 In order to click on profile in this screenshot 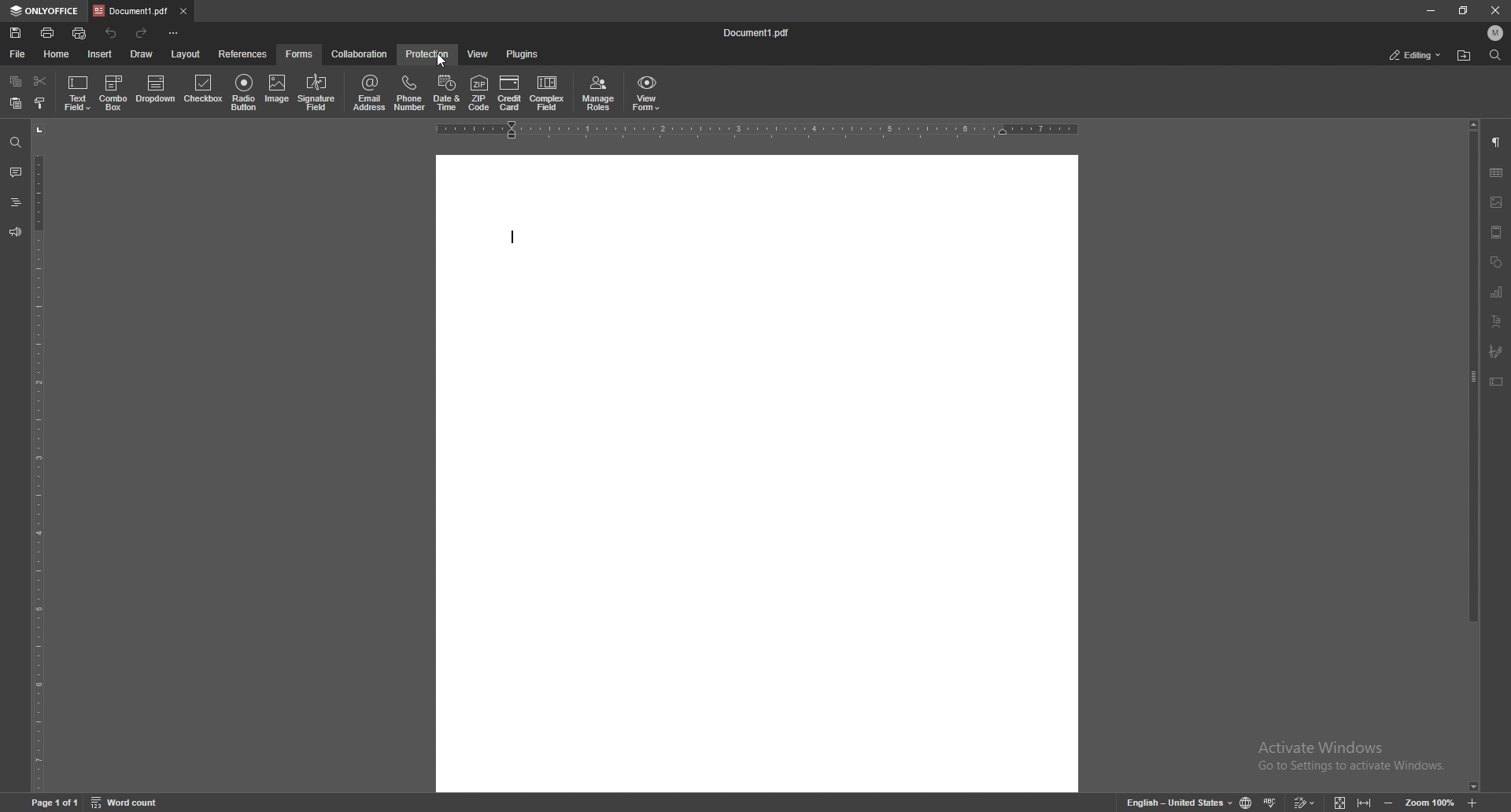, I will do `click(1493, 33)`.